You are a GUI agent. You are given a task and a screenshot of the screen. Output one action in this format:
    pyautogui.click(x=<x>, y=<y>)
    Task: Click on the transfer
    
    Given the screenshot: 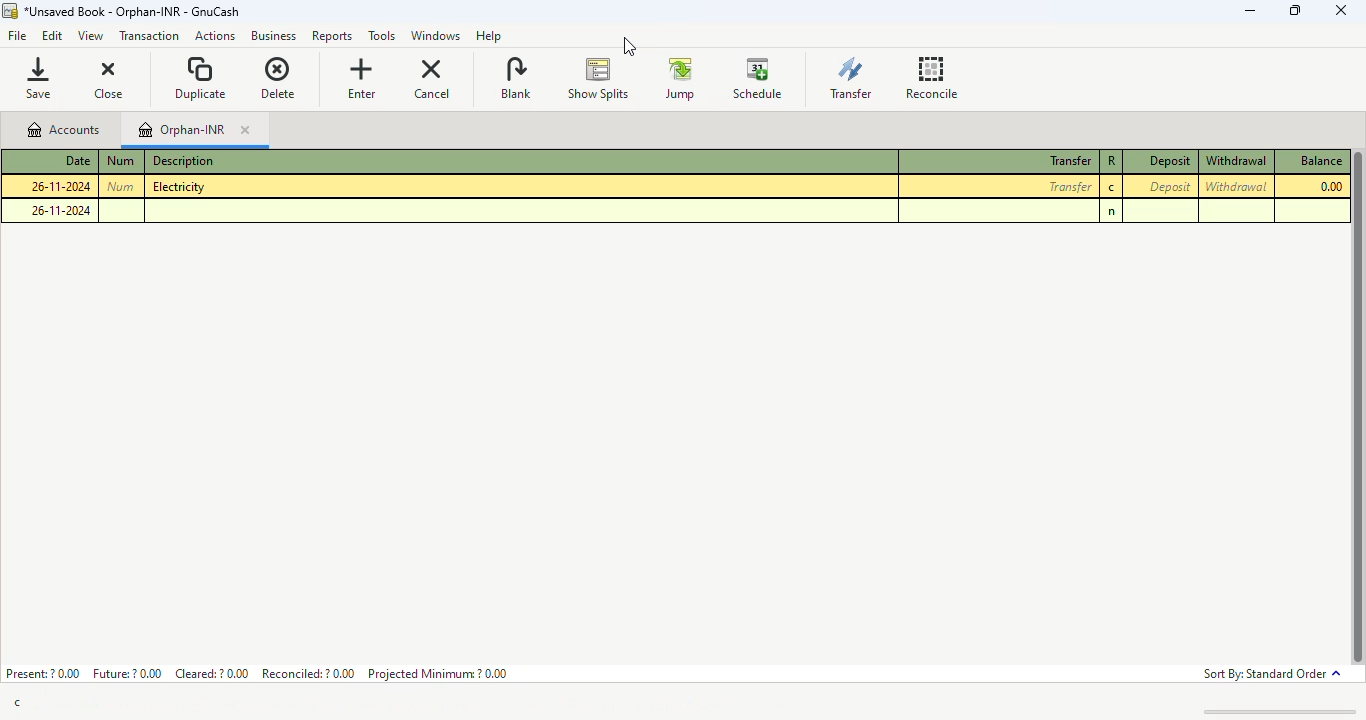 What is the action you would take?
    pyautogui.click(x=1071, y=187)
    